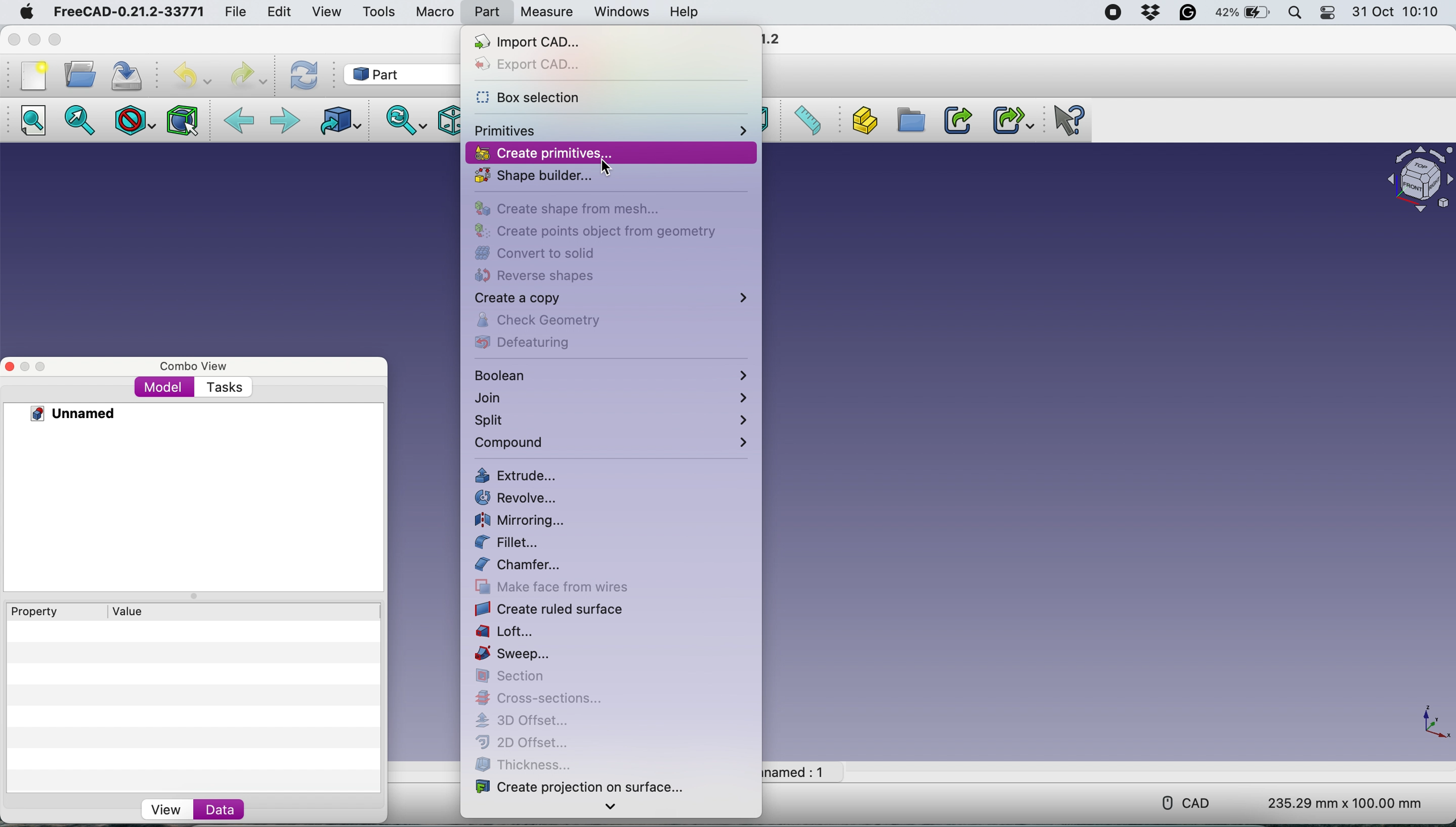  What do you see at coordinates (128, 11) in the screenshot?
I see `FreeCAD-0.21.2-33771` at bounding box center [128, 11].